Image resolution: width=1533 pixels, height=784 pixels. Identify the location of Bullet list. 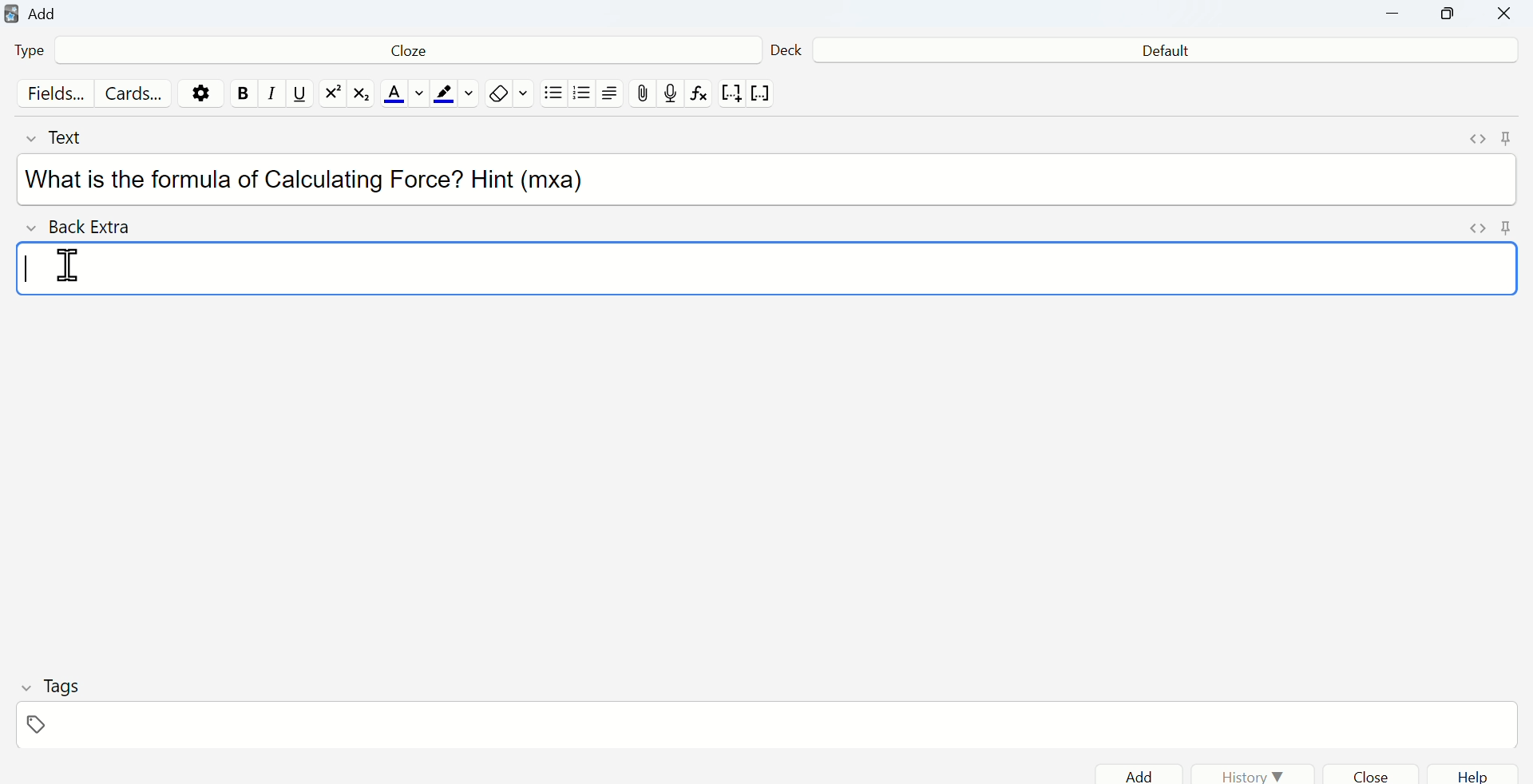
(553, 97).